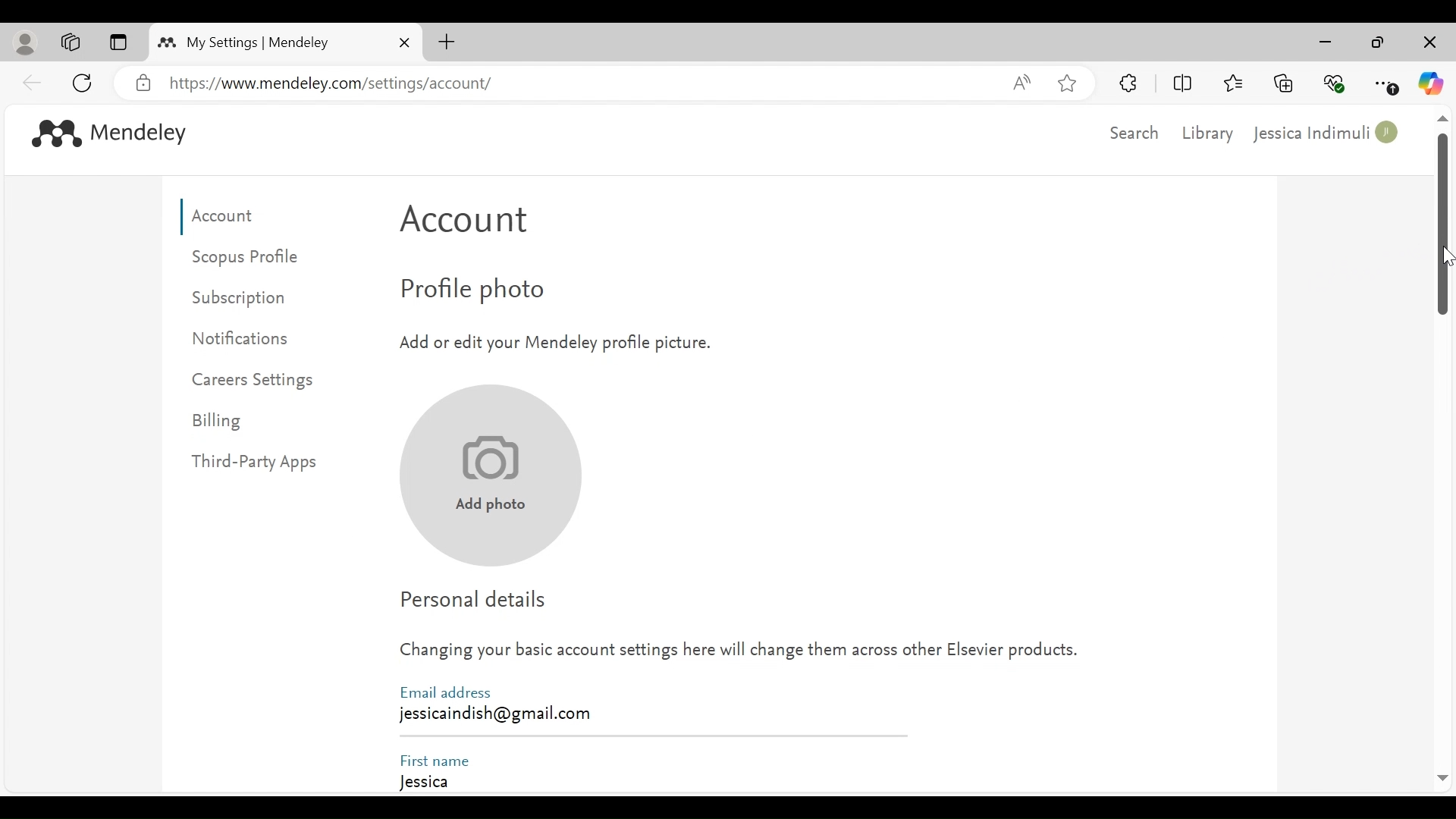 The image size is (1456, 819). I want to click on Changing your basic account settings here will change them across other Elsevier products, so click(740, 654).